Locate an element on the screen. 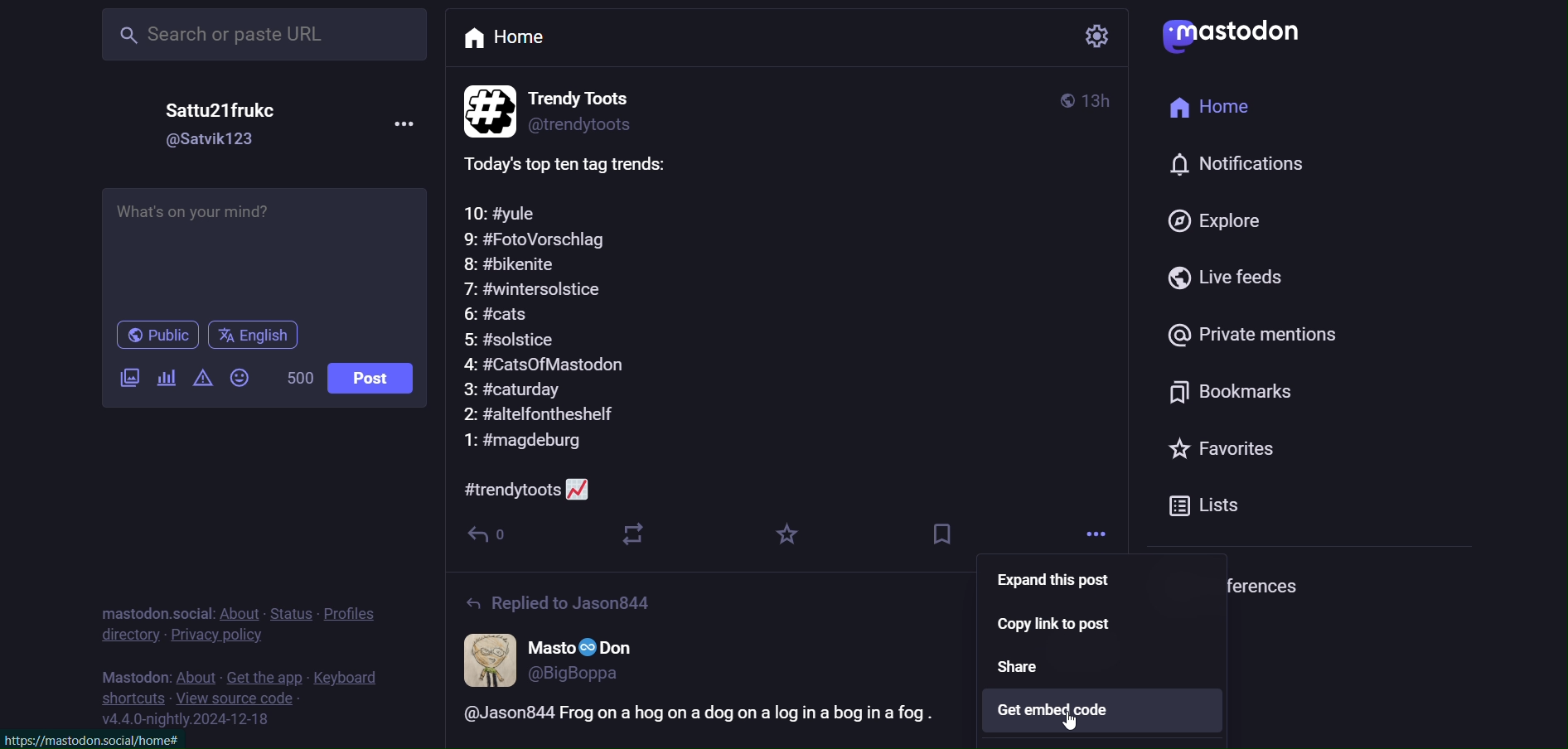 Image resolution: width=1568 pixels, height=749 pixels. language is located at coordinates (270, 336).